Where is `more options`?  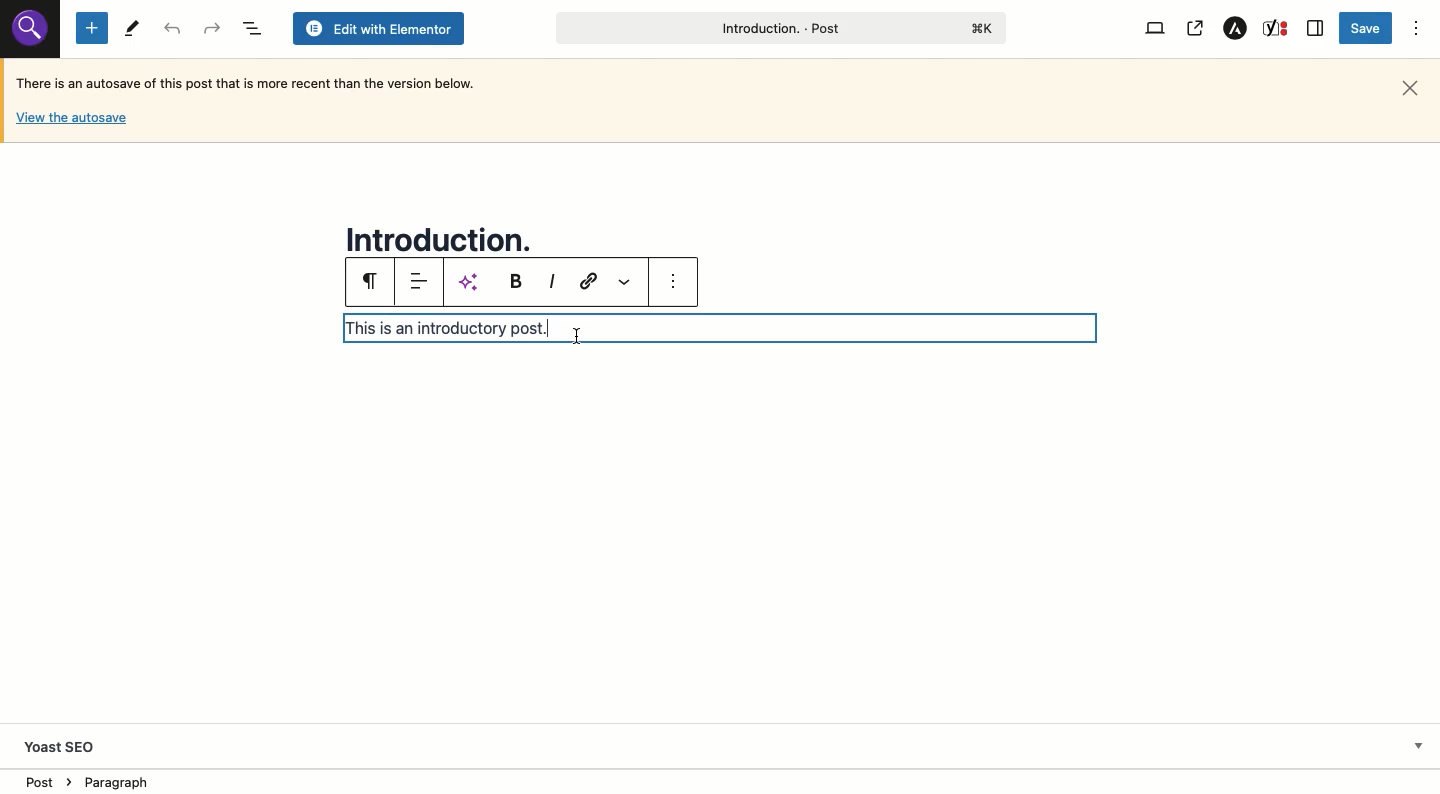 more options is located at coordinates (674, 281).